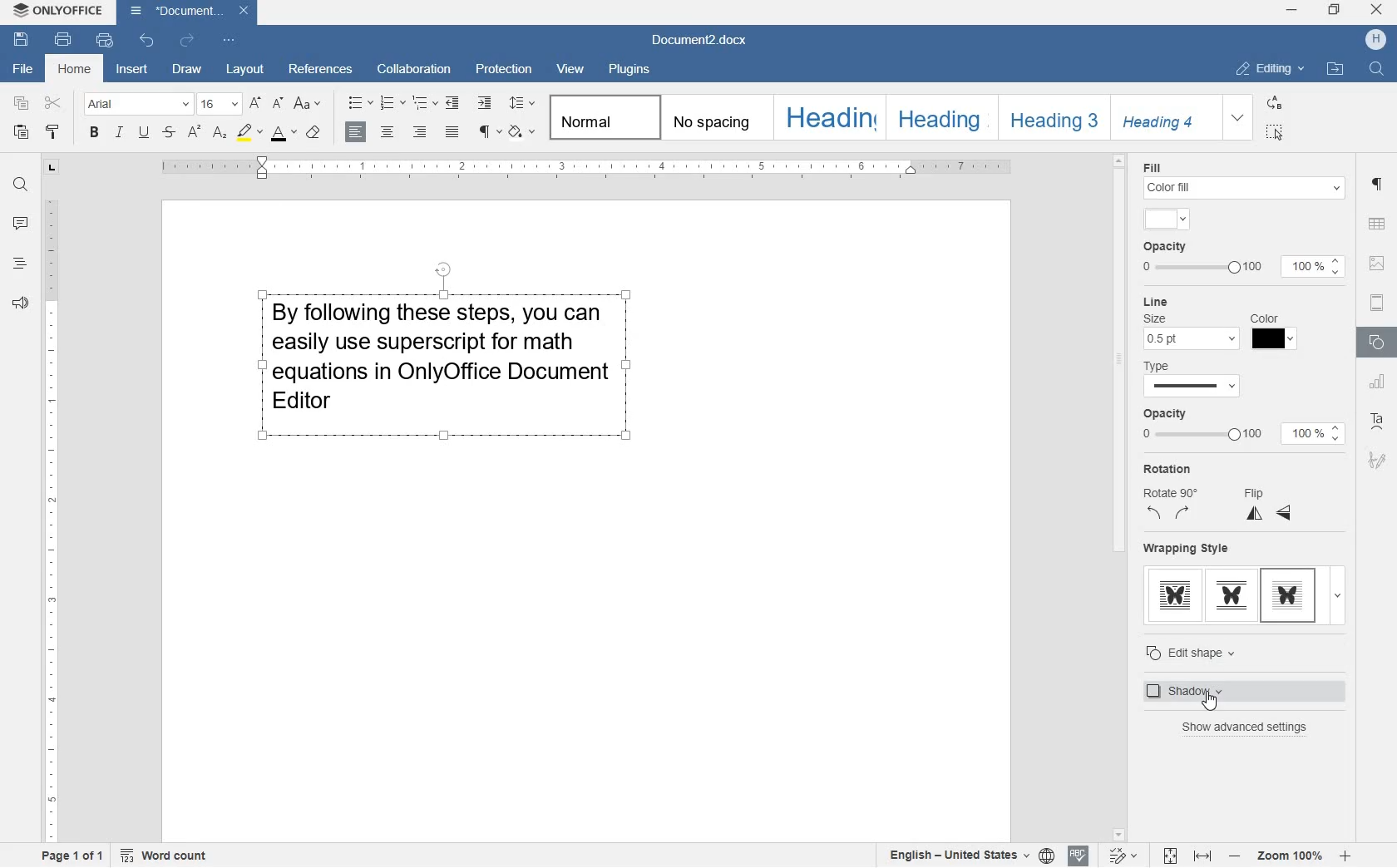  What do you see at coordinates (1199, 426) in the screenshot?
I see `opacity` at bounding box center [1199, 426].